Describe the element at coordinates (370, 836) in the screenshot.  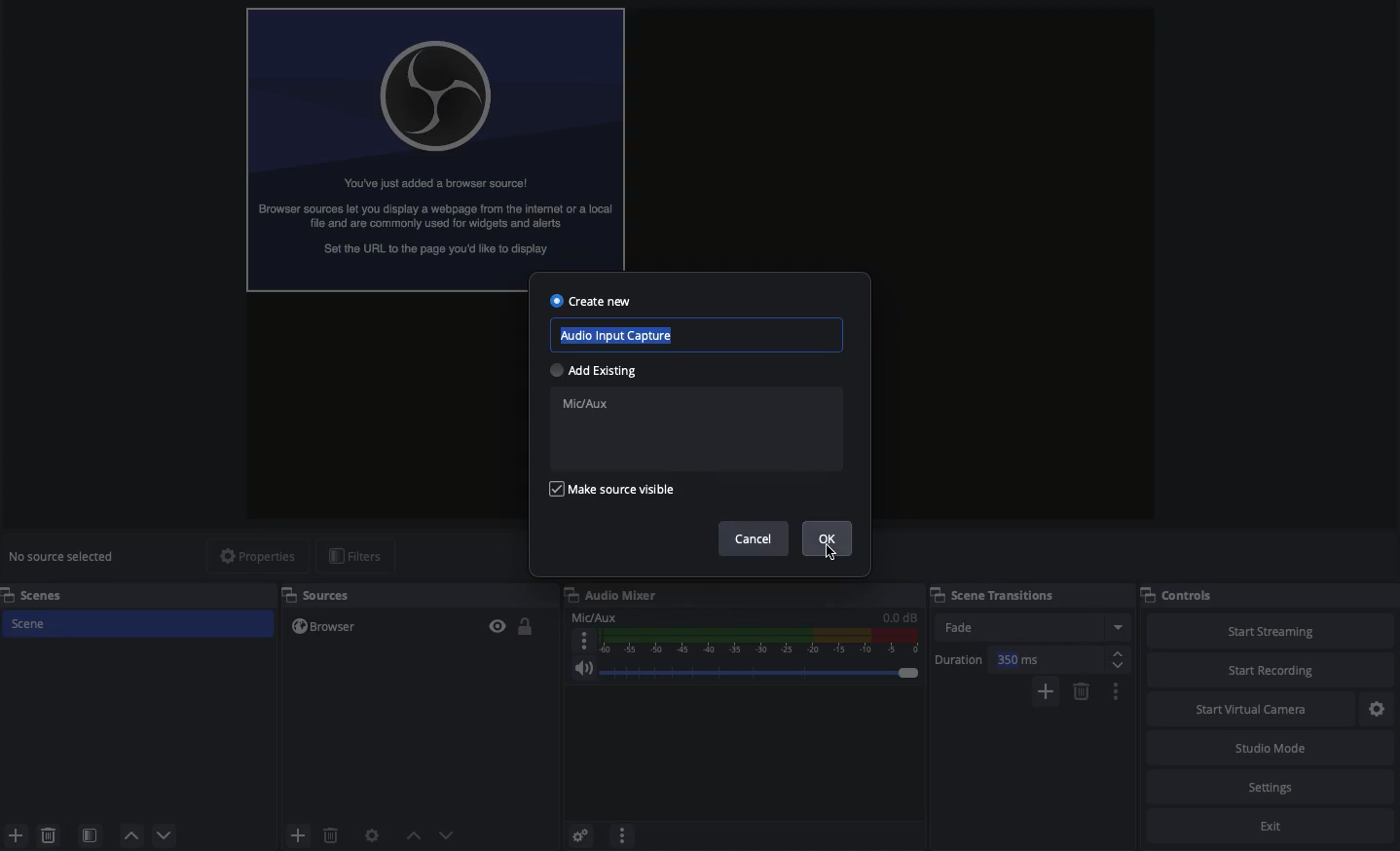
I see `Source preferences` at that location.